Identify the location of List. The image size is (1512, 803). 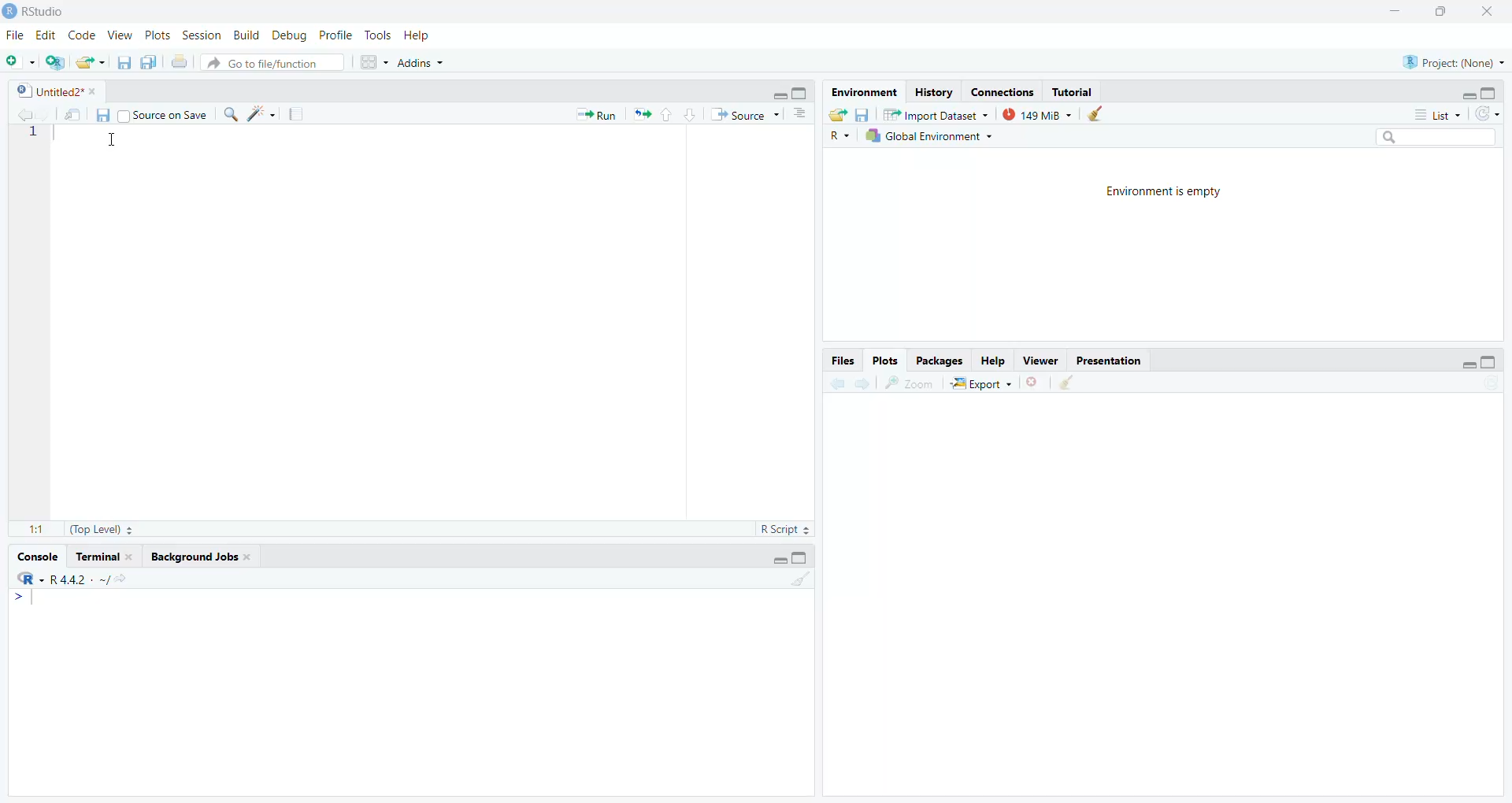
(1436, 115).